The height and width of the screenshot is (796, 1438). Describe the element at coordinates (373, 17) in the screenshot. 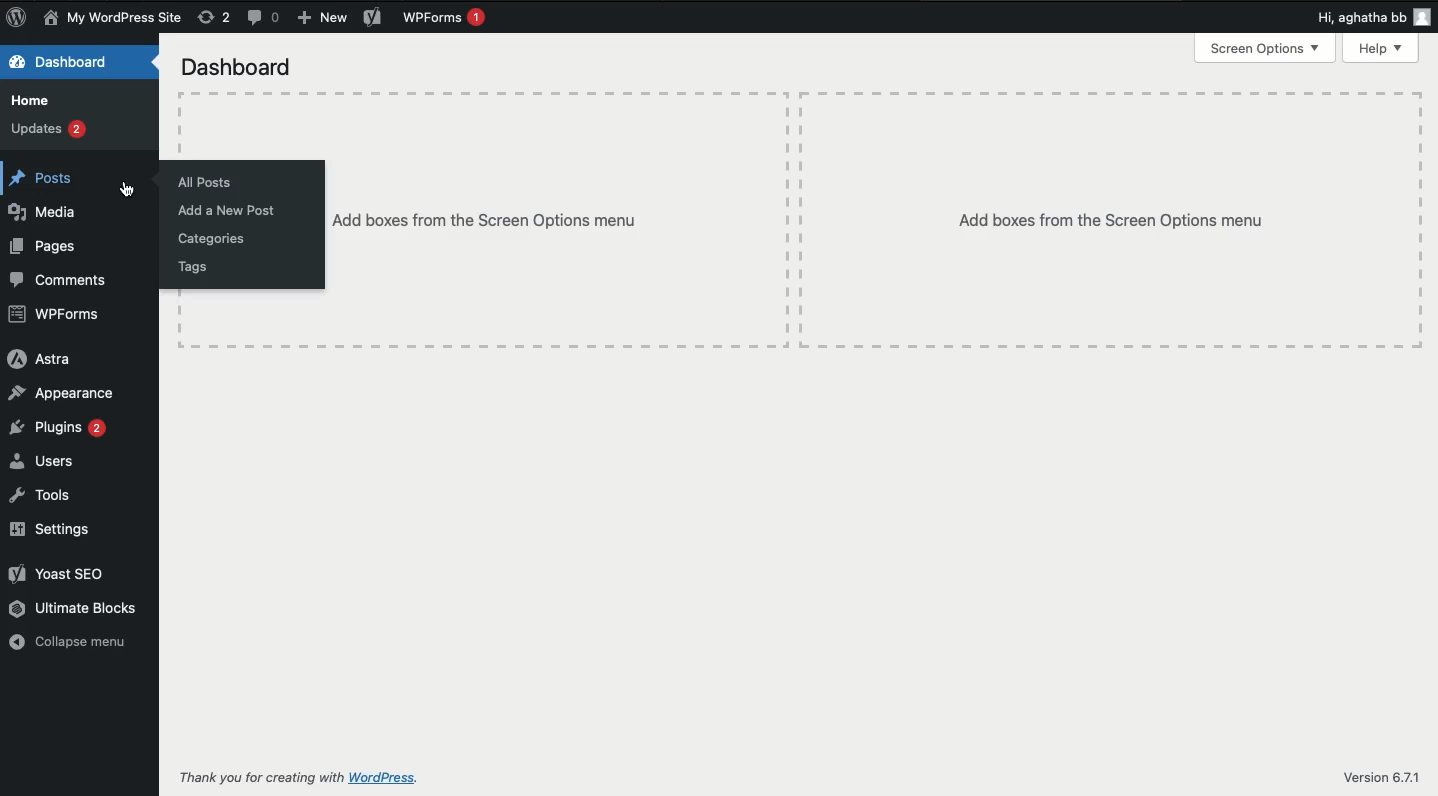

I see `Yoast` at that location.